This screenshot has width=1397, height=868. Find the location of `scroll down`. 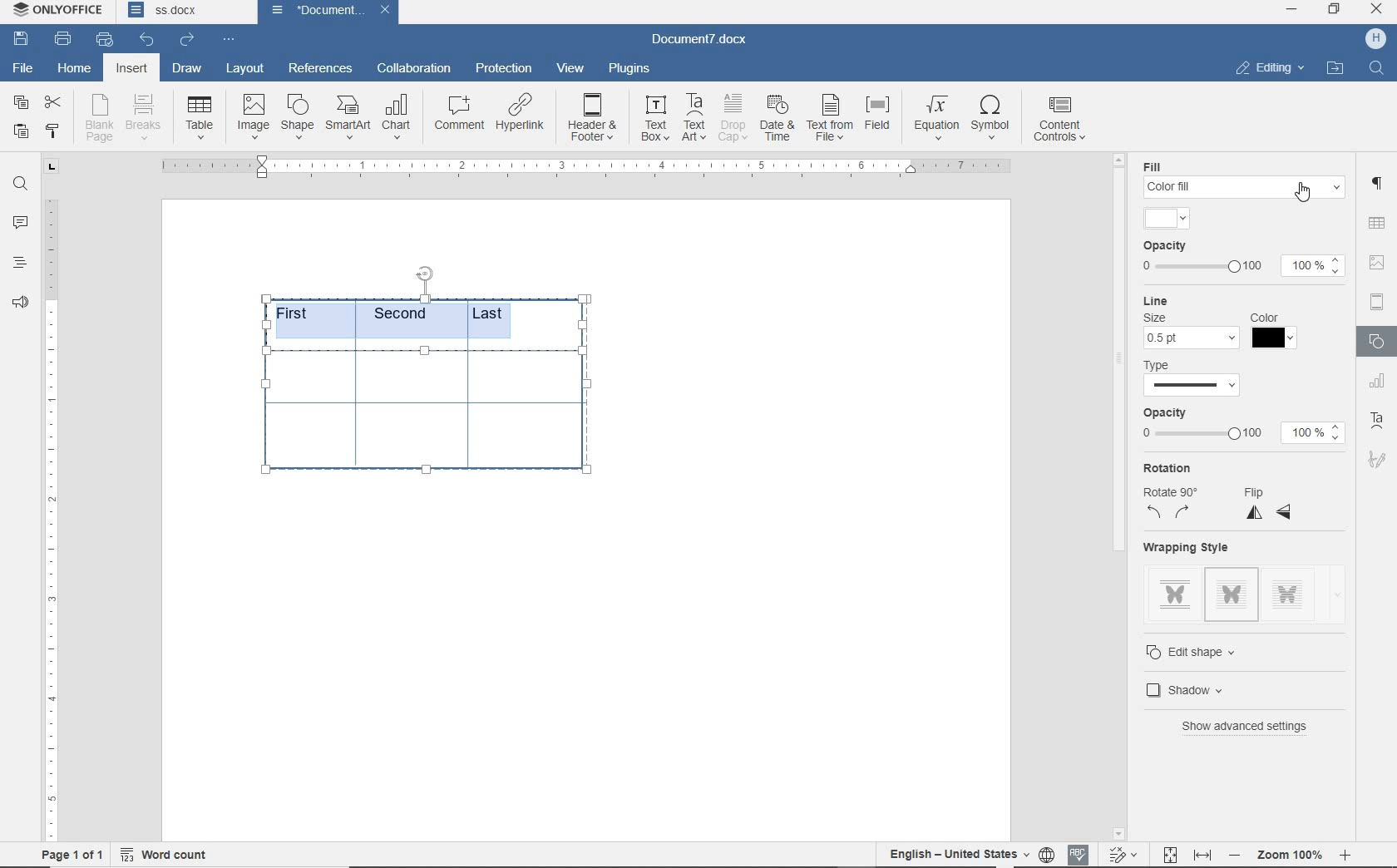

scroll down is located at coordinates (1118, 832).